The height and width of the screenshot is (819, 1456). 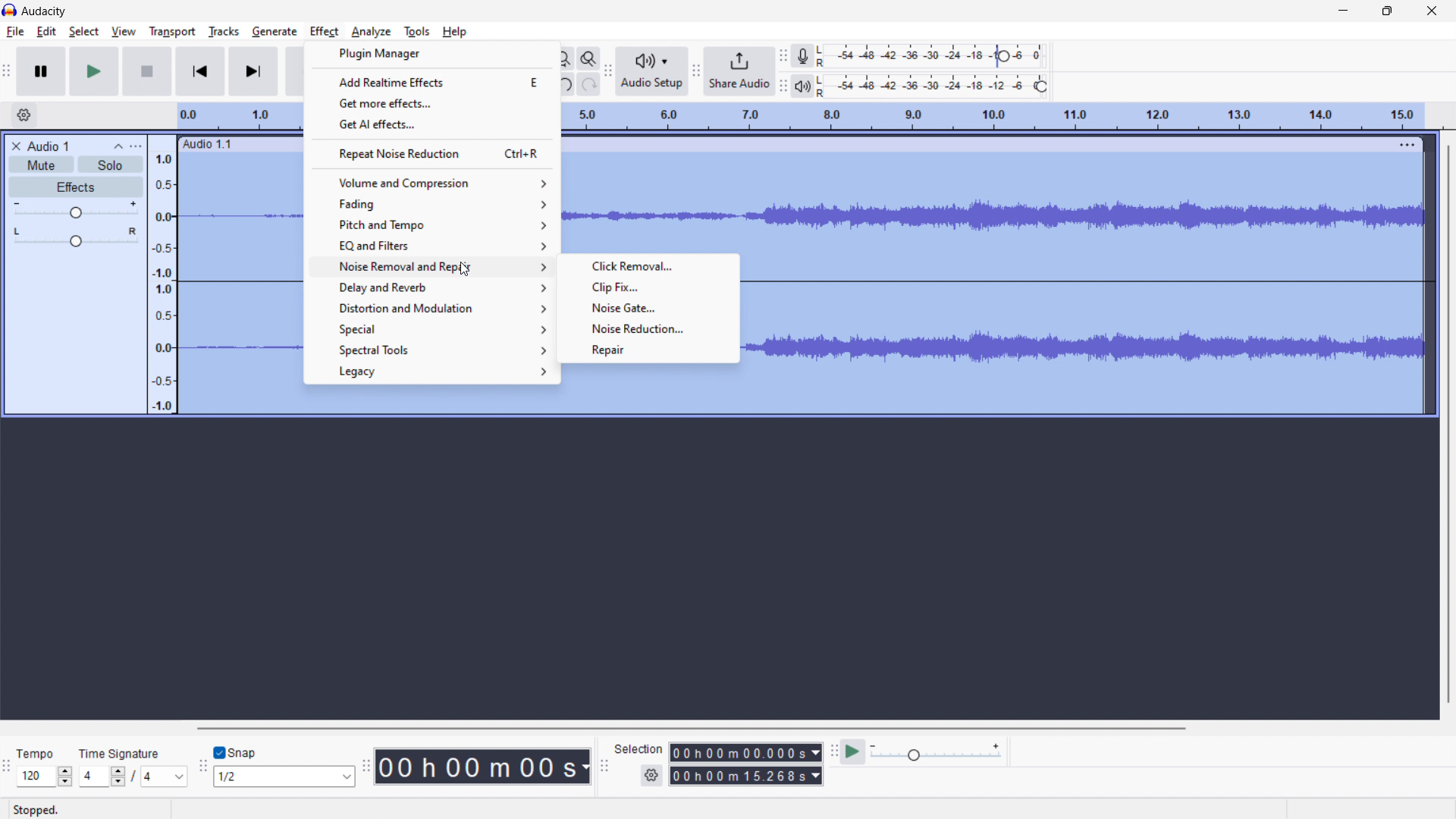 I want to click on Help, so click(x=457, y=31).